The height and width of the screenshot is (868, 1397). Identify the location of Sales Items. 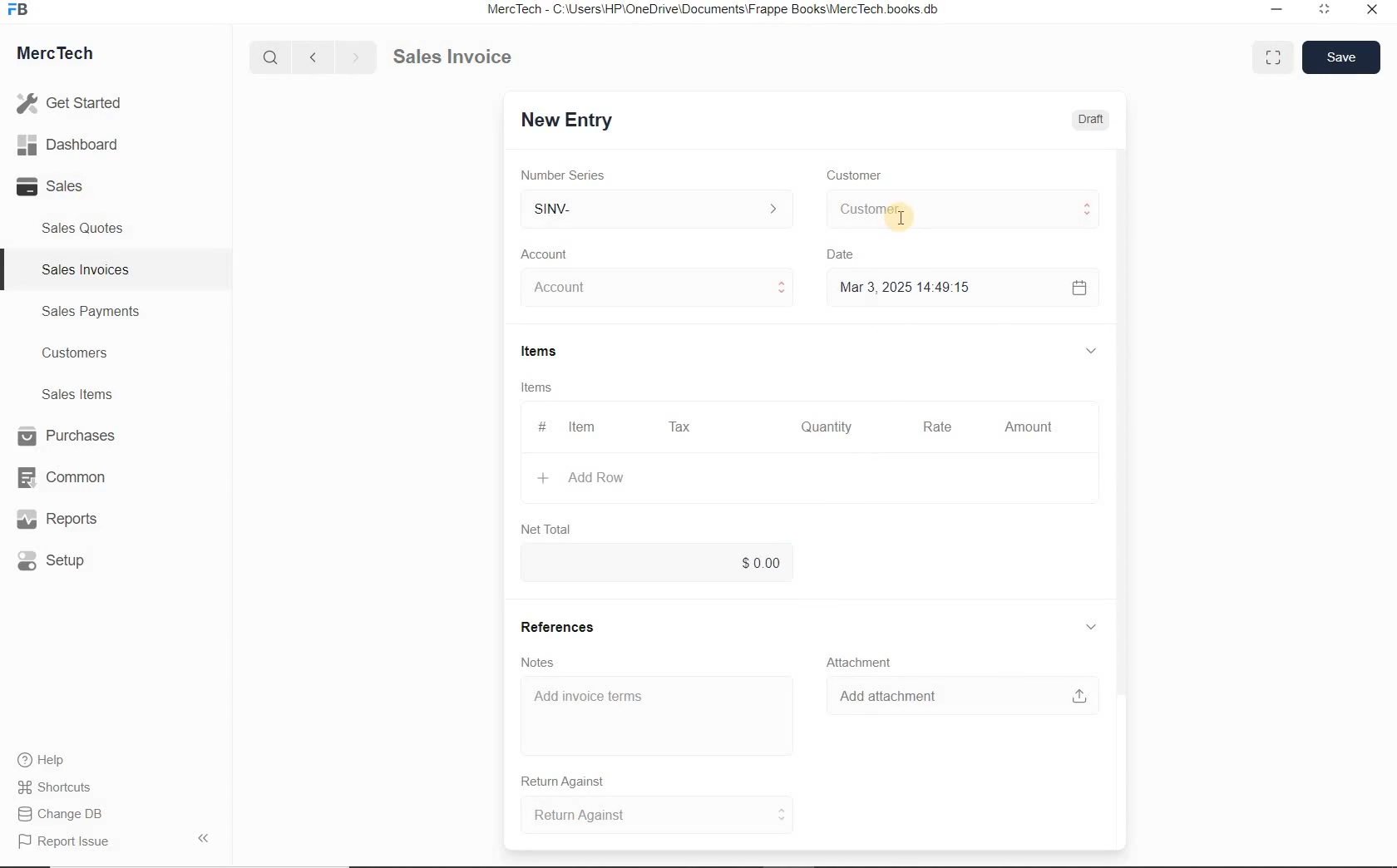
(88, 394).